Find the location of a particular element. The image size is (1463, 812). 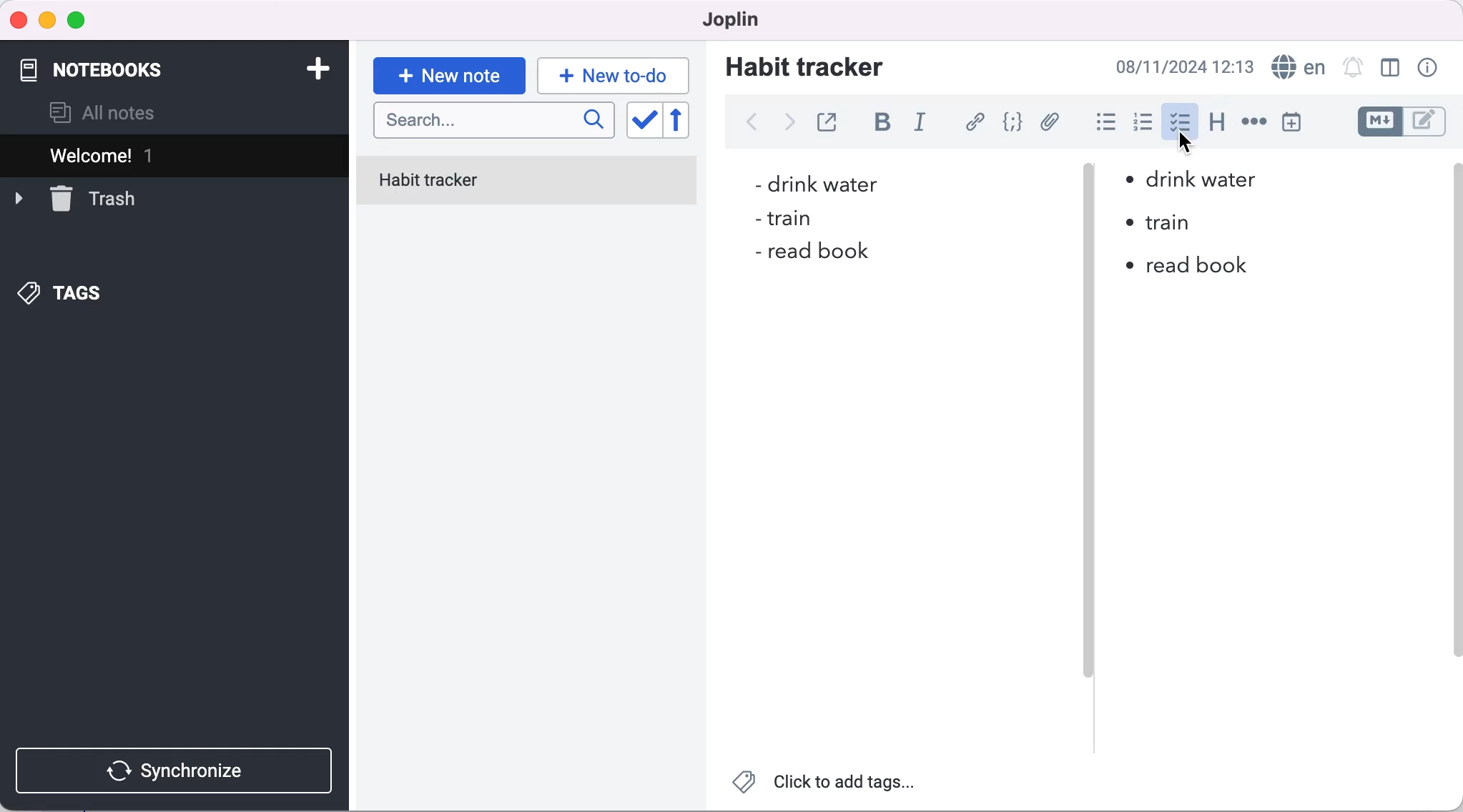

• drink water is located at coordinates (1192, 178).